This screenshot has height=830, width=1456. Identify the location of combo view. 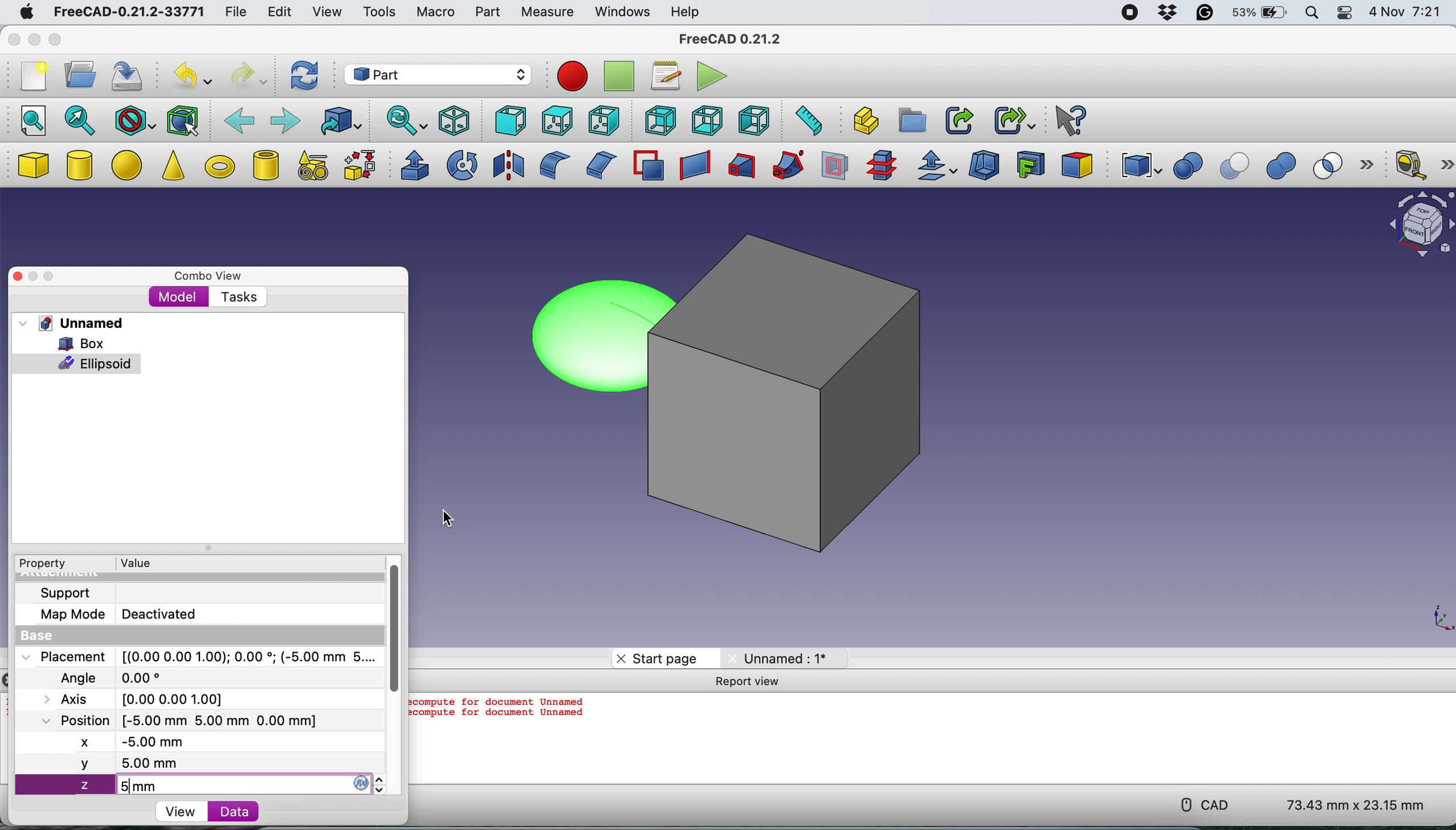
(204, 272).